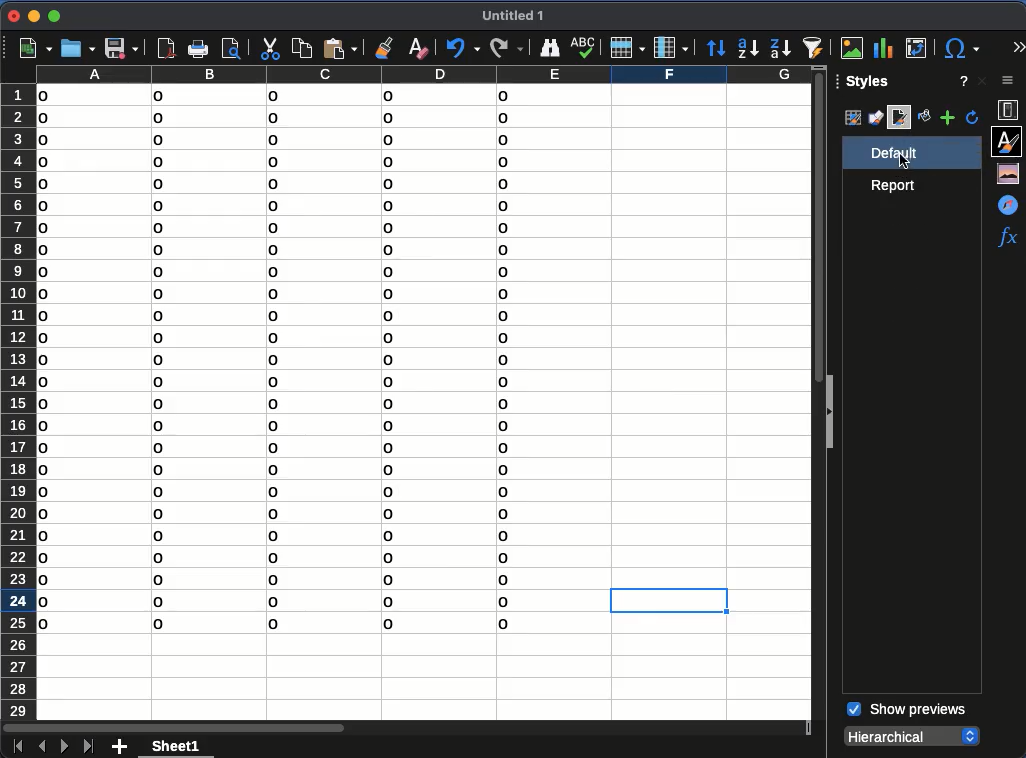 Image resolution: width=1026 pixels, height=758 pixels. What do you see at coordinates (961, 48) in the screenshot?
I see `special character` at bounding box center [961, 48].